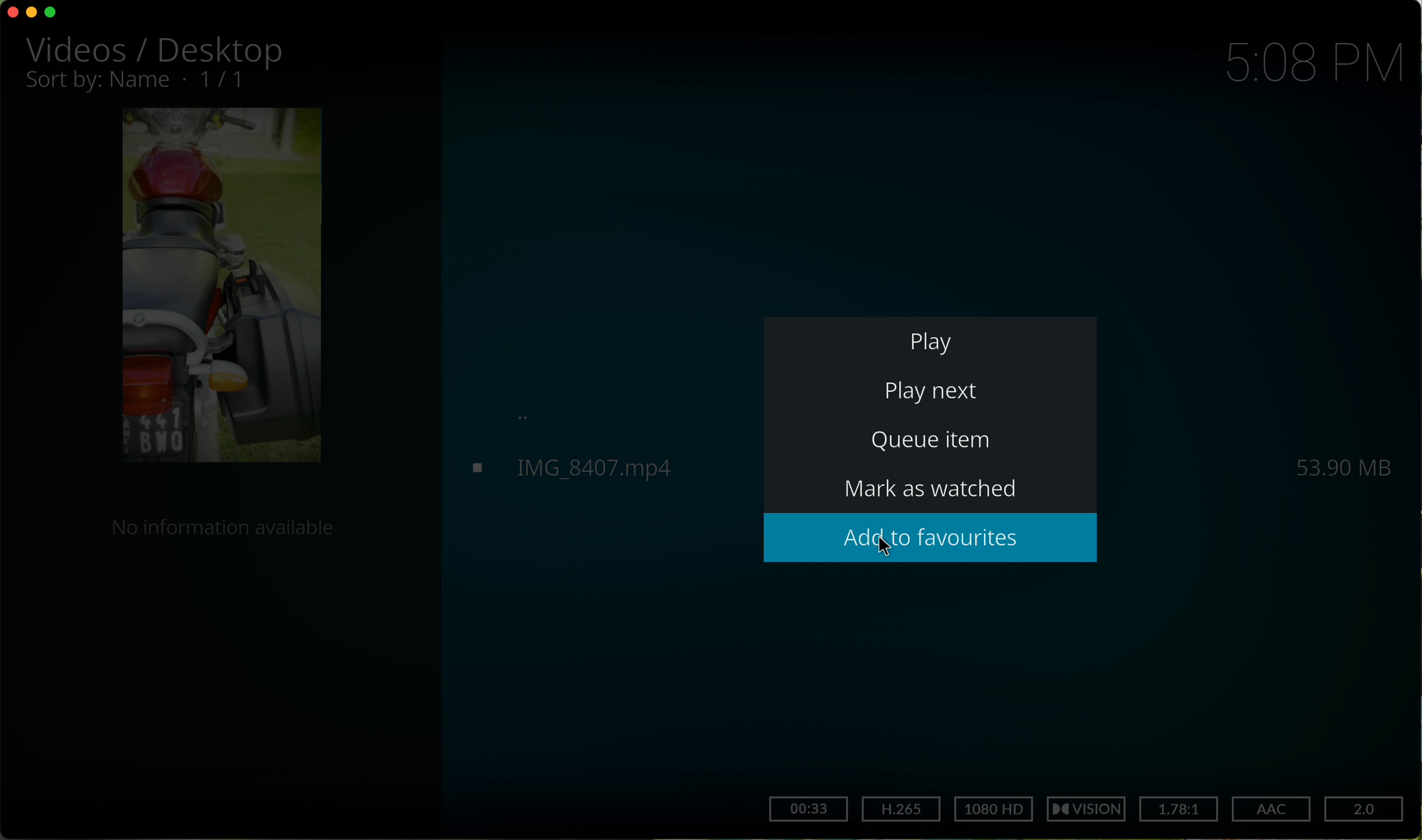 This screenshot has height=840, width=1422. I want to click on 1.78:1, so click(1180, 808).